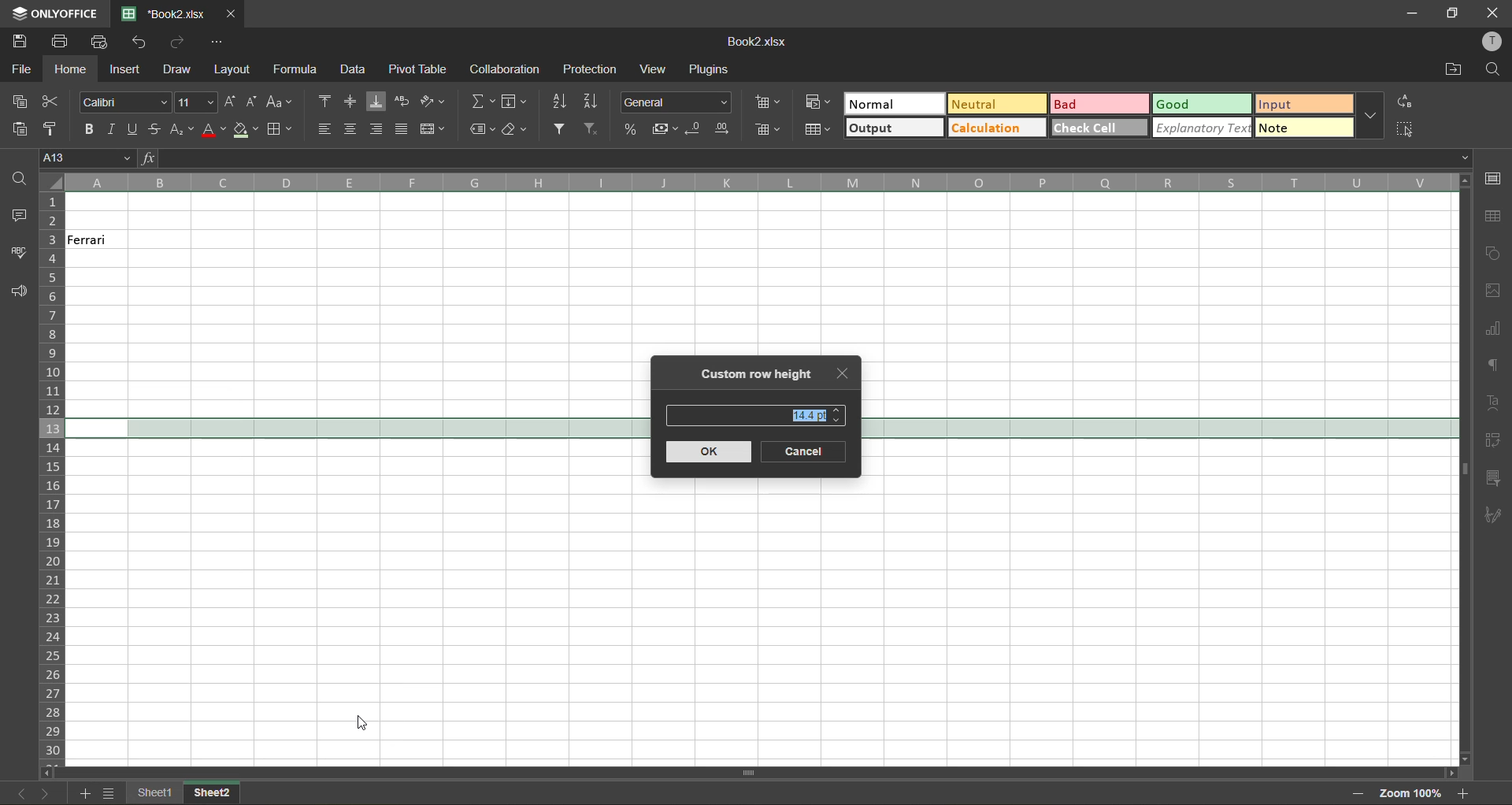  What do you see at coordinates (61, 41) in the screenshot?
I see `print` at bounding box center [61, 41].